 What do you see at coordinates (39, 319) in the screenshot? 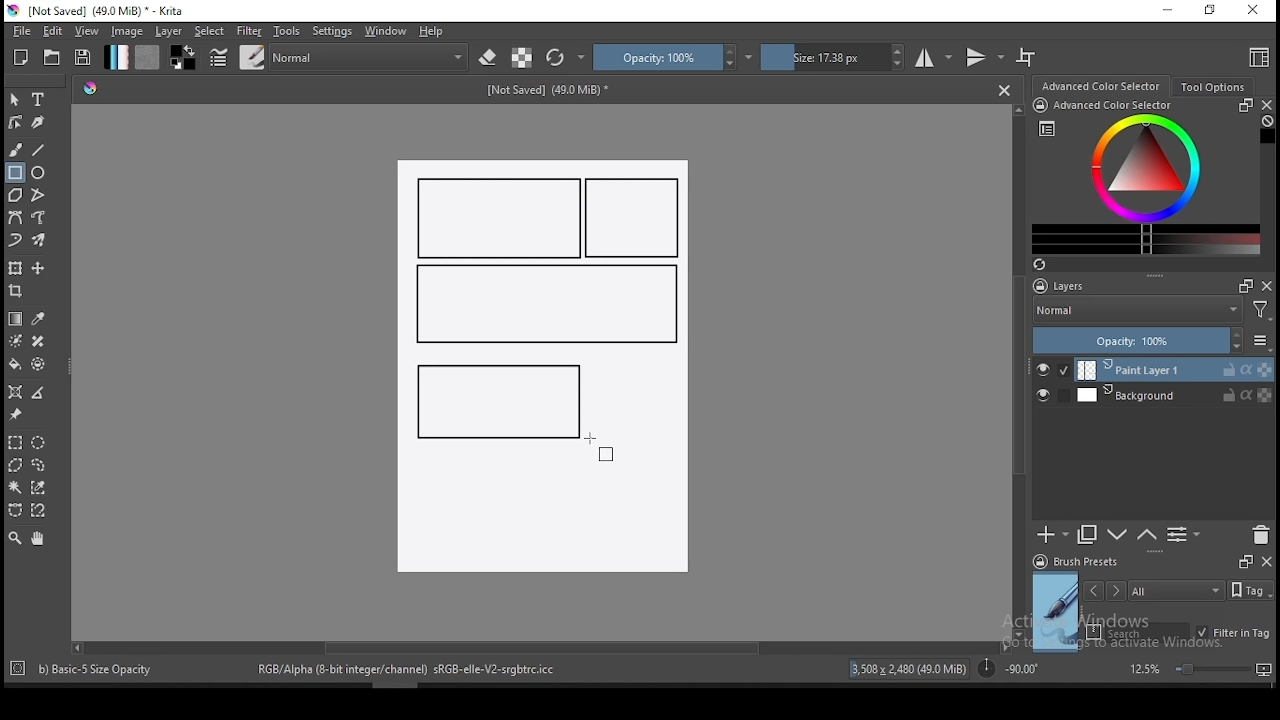
I see `pick a color from image and current layer` at bounding box center [39, 319].